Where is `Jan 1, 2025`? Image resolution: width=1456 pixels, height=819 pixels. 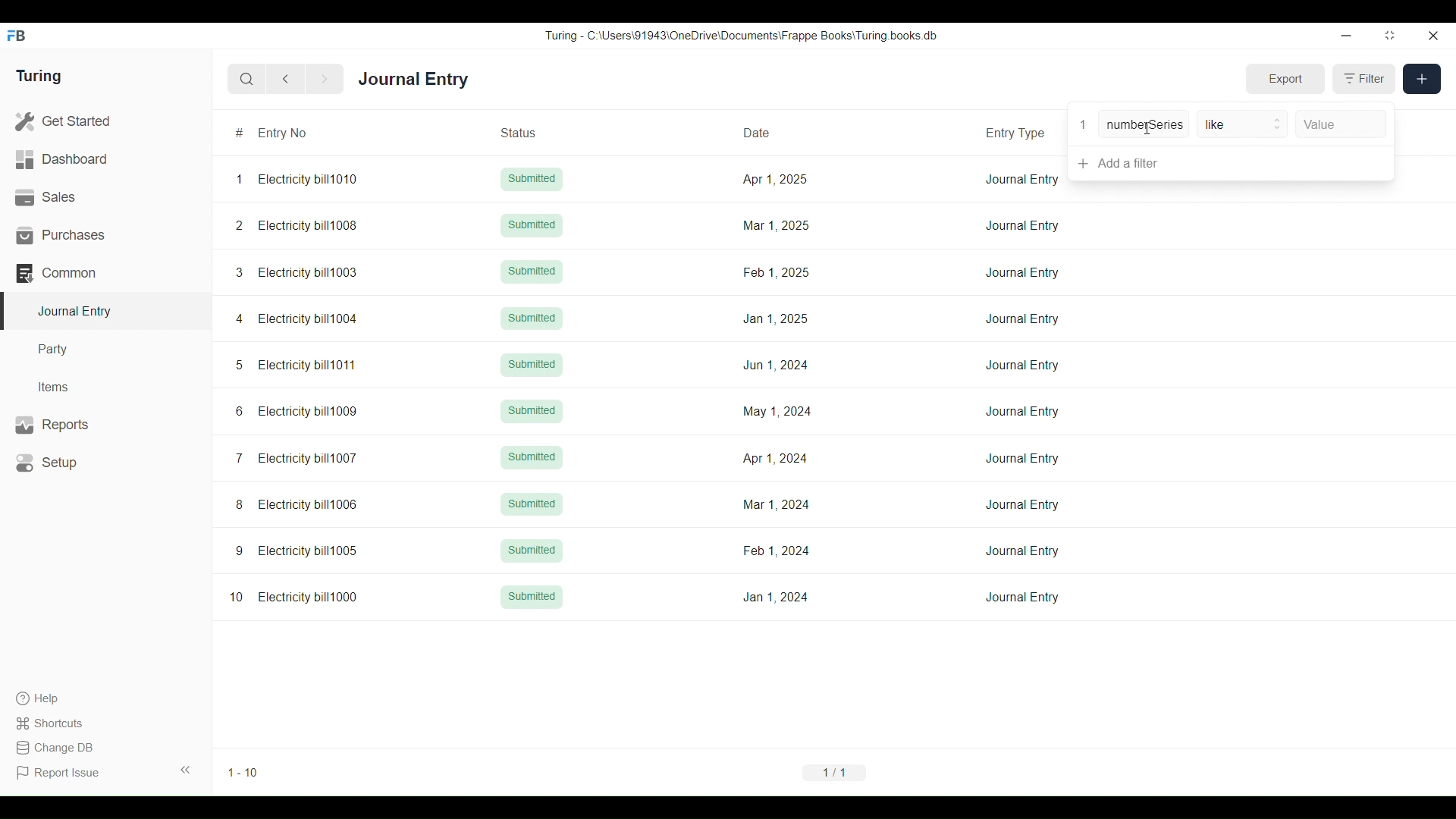
Jan 1, 2025 is located at coordinates (776, 318).